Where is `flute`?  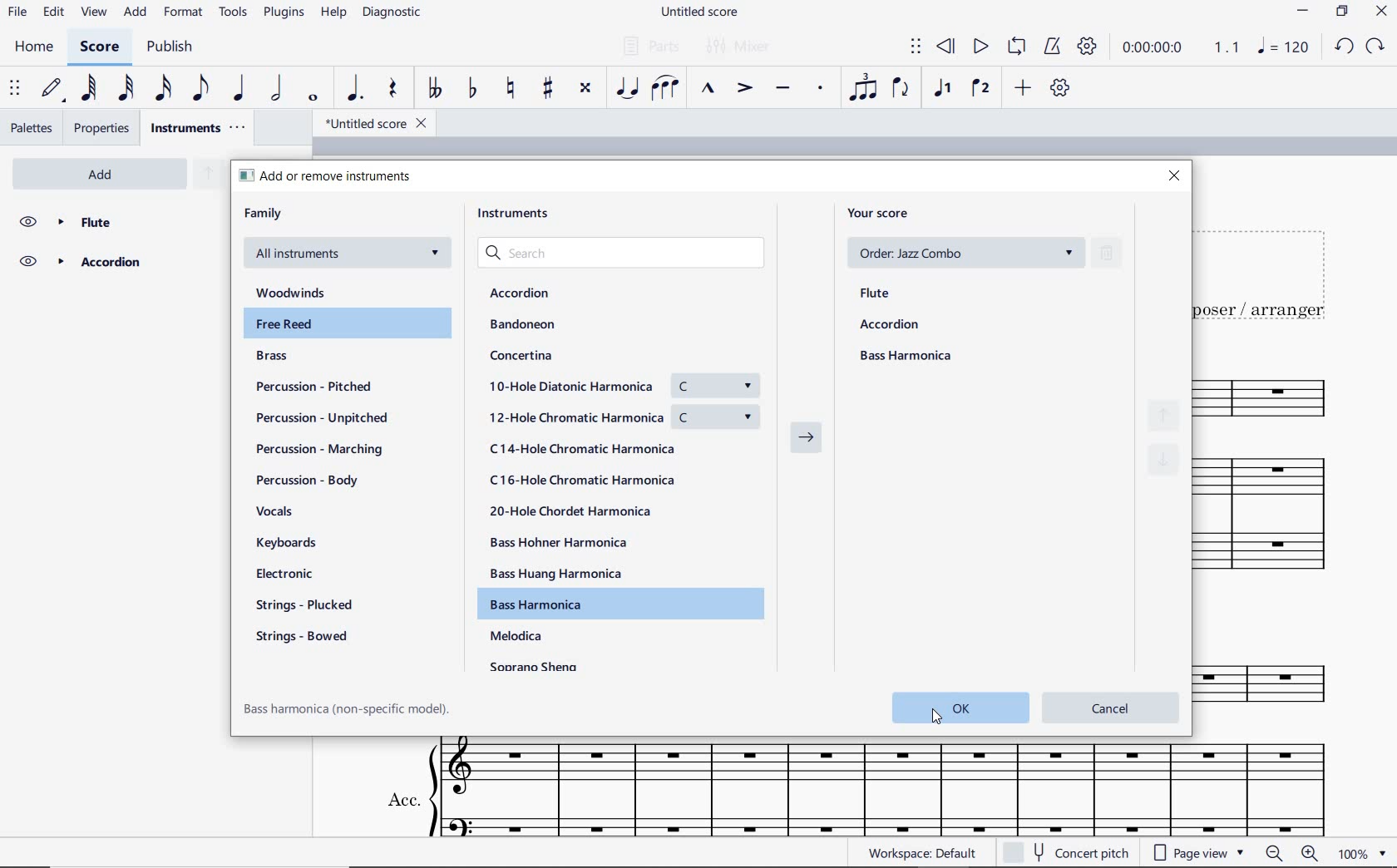
flute is located at coordinates (876, 294).